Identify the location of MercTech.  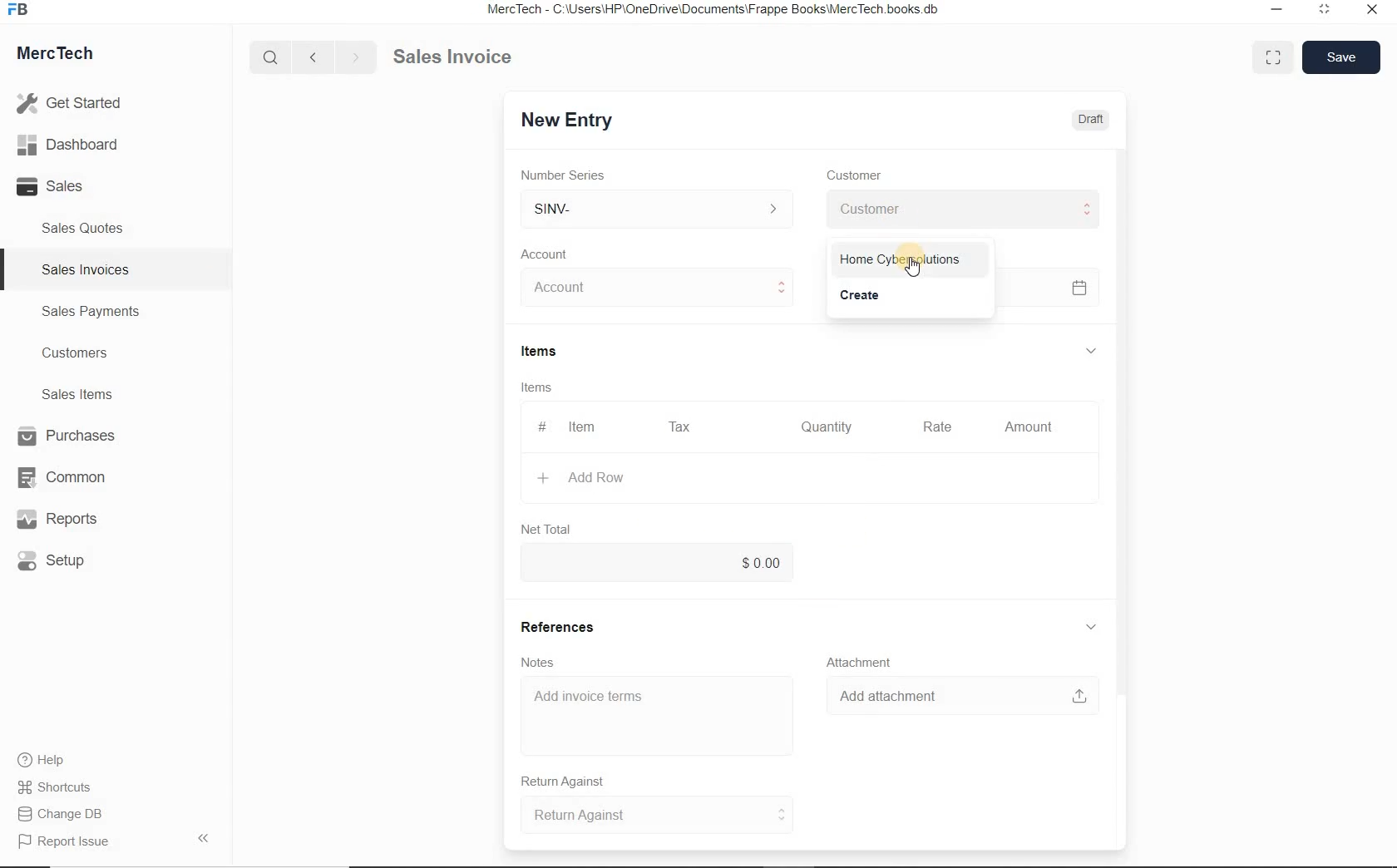
(63, 57).